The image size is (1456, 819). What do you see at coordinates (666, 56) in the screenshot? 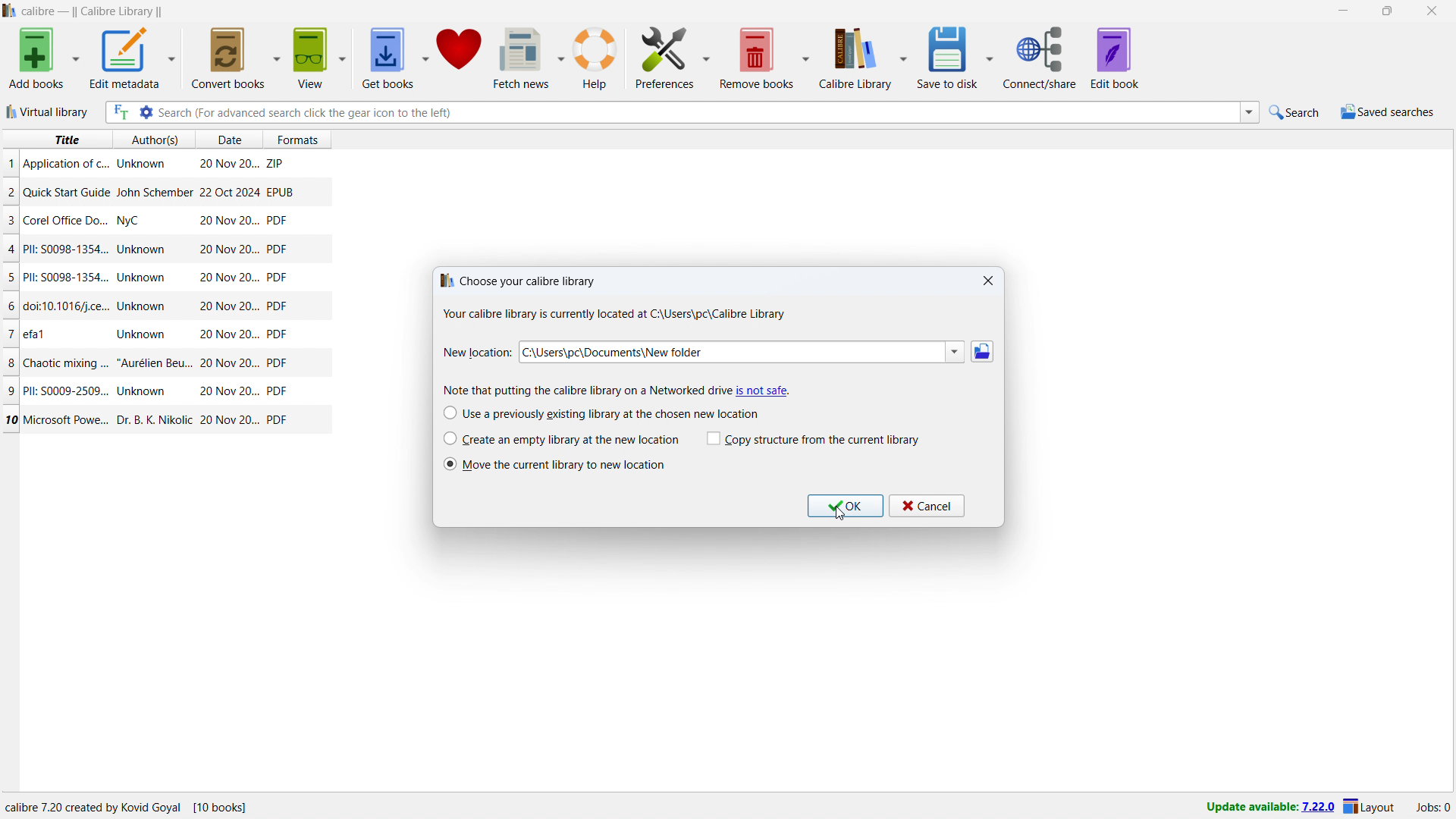
I see `preferences` at bounding box center [666, 56].